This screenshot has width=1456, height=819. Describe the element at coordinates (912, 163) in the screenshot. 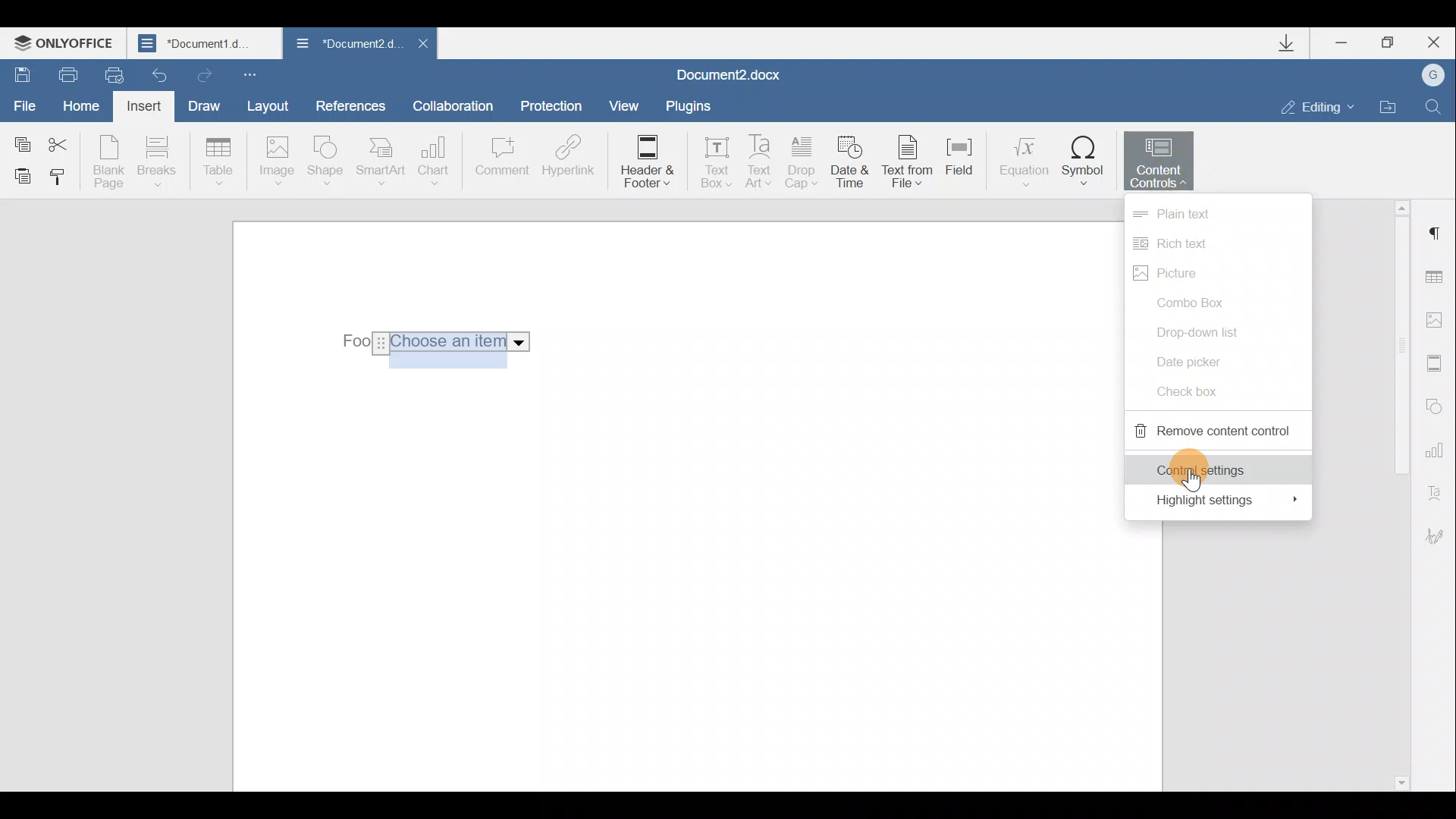

I see `Text from file` at that location.